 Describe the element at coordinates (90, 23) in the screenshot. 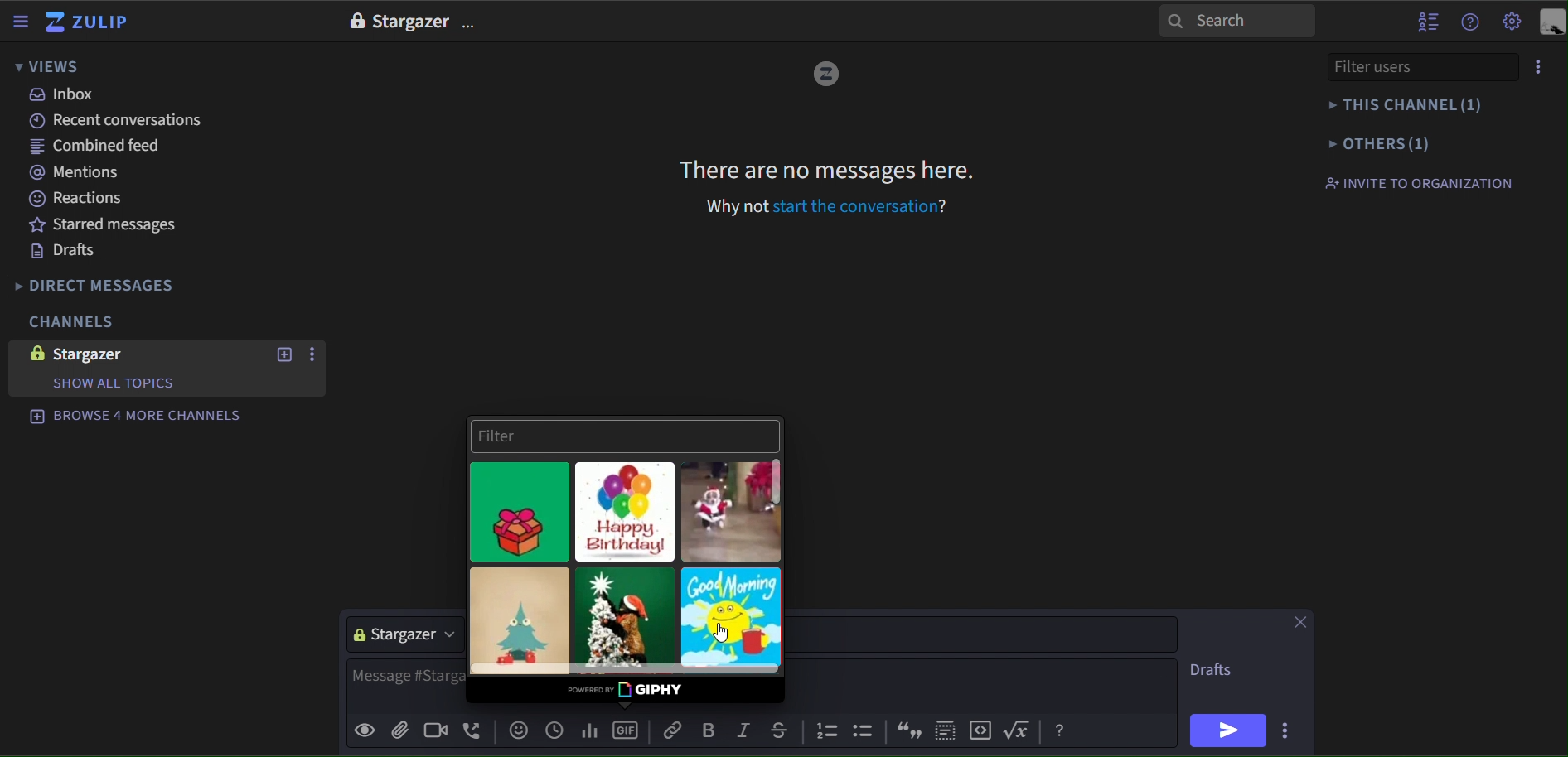

I see `zulip` at that location.